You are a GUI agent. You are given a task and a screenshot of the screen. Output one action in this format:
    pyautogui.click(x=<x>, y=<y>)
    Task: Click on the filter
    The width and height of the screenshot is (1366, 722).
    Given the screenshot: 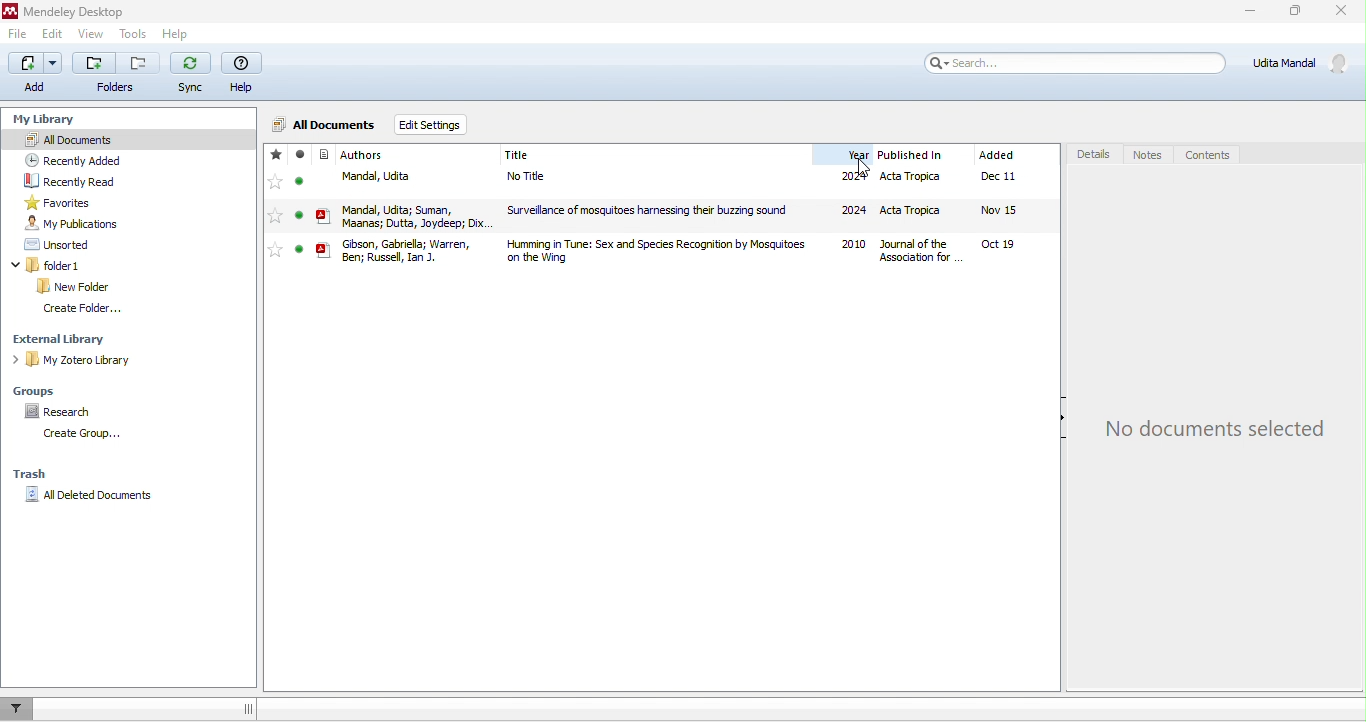 What is the action you would take?
    pyautogui.click(x=19, y=716)
    